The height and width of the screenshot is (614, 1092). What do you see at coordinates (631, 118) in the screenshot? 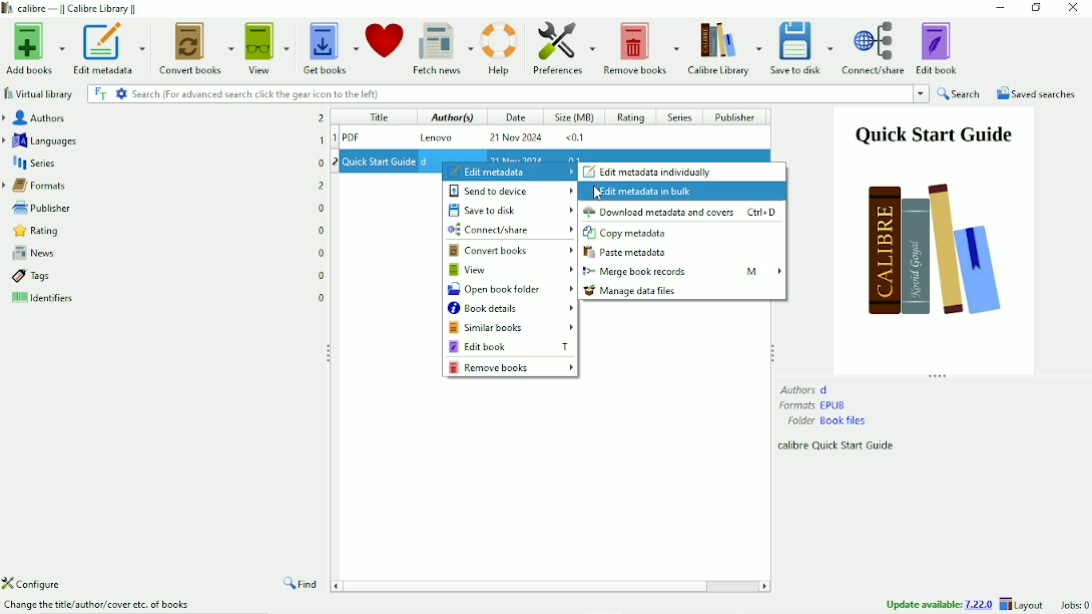
I see `Rating` at bounding box center [631, 118].